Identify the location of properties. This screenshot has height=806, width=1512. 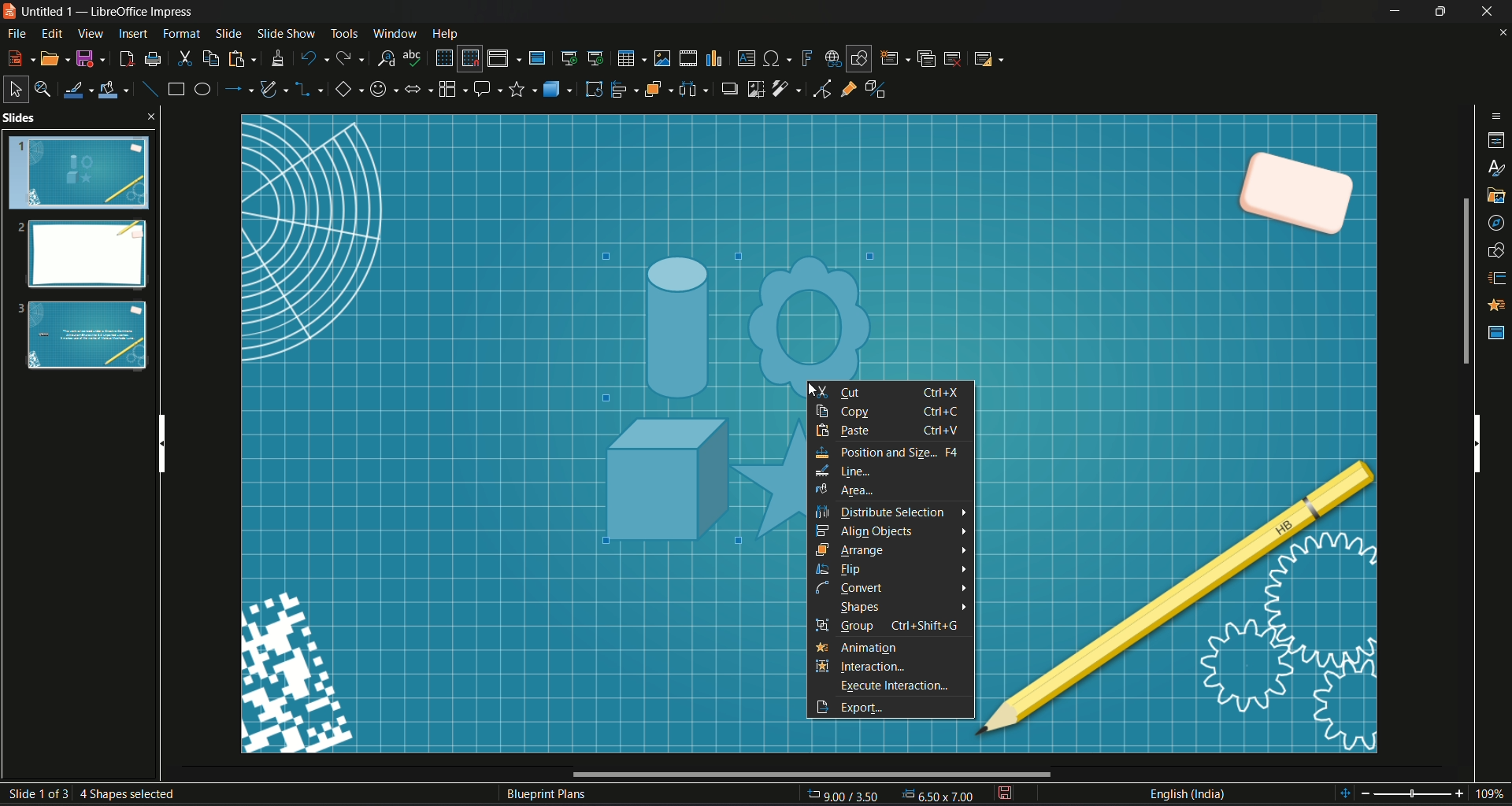
(1497, 142).